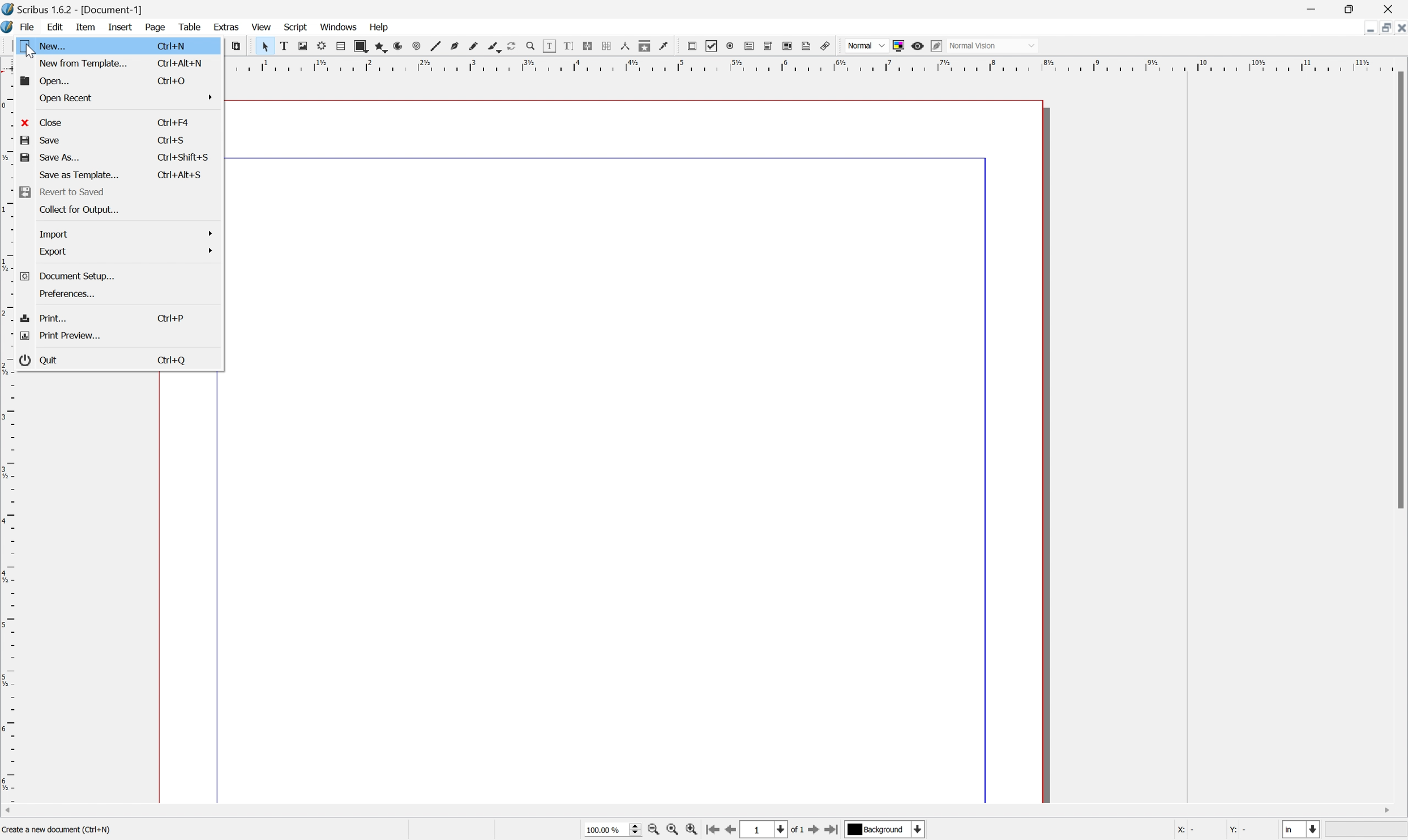 The height and width of the screenshot is (840, 1408). I want to click on Insert, so click(119, 28).